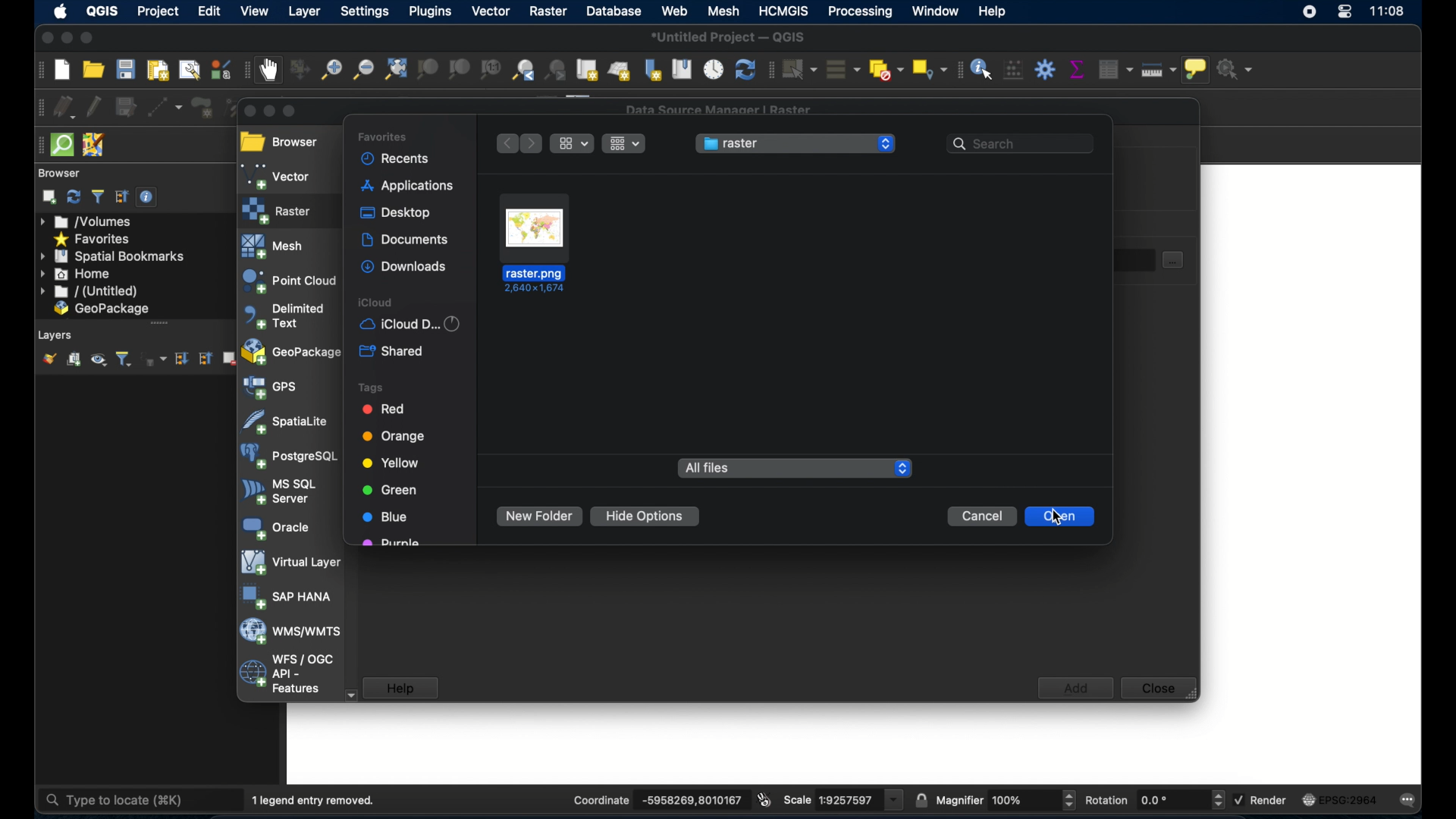  What do you see at coordinates (557, 69) in the screenshot?
I see `zoom next` at bounding box center [557, 69].